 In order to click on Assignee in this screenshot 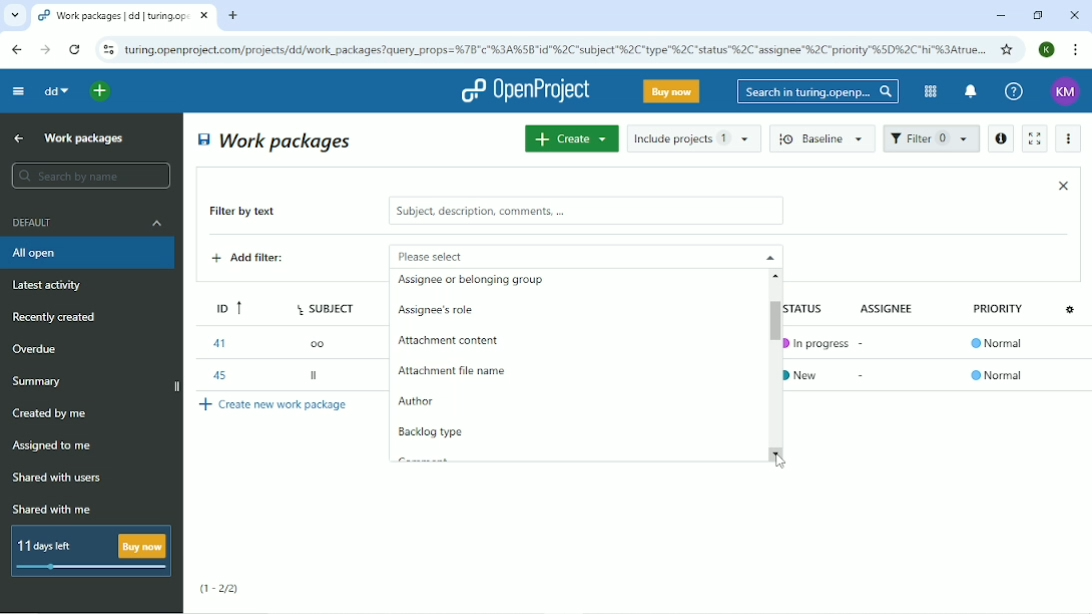, I will do `click(891, 307)`.